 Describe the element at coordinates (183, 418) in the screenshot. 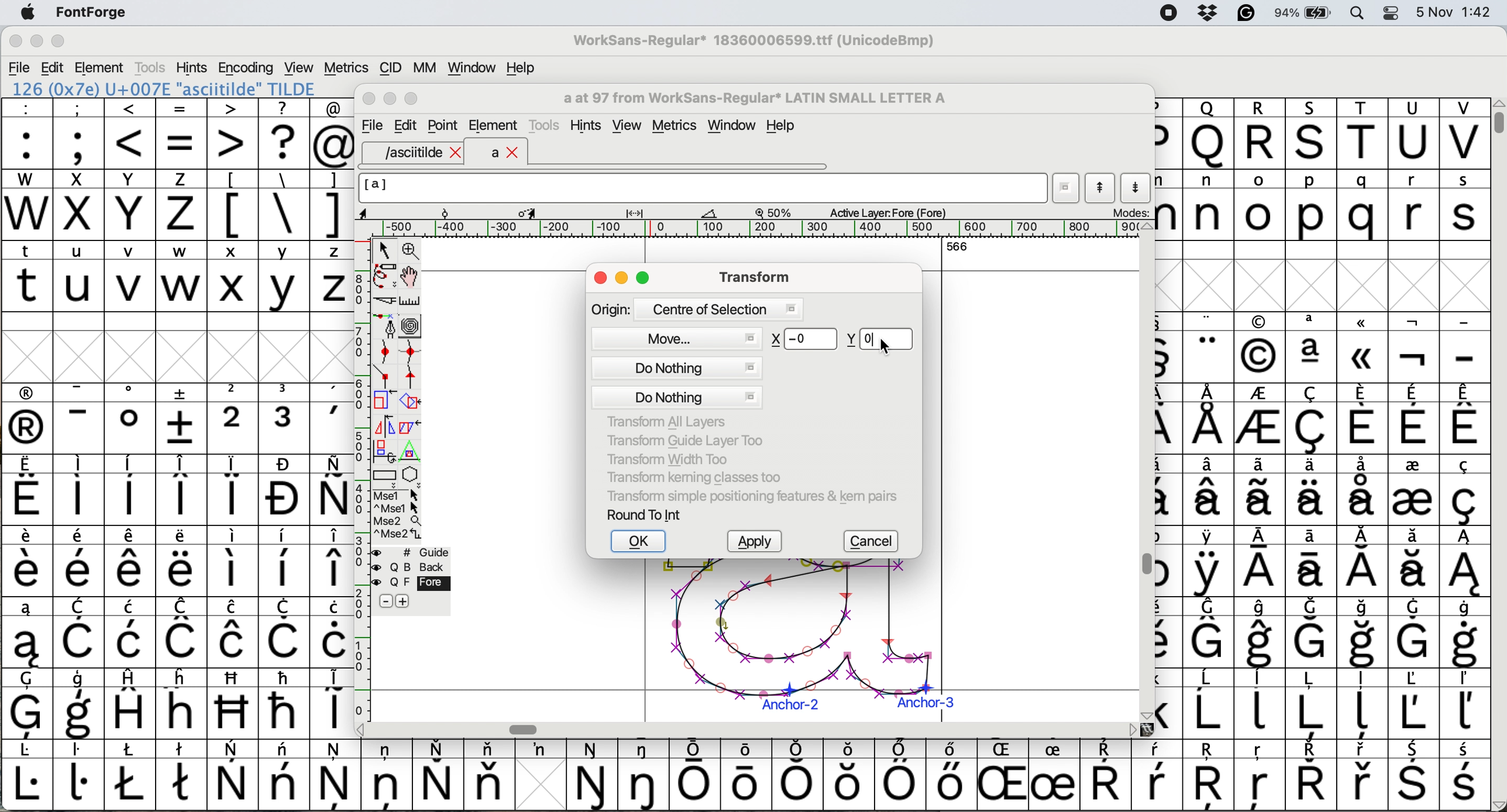

I see `symbol` at that location.